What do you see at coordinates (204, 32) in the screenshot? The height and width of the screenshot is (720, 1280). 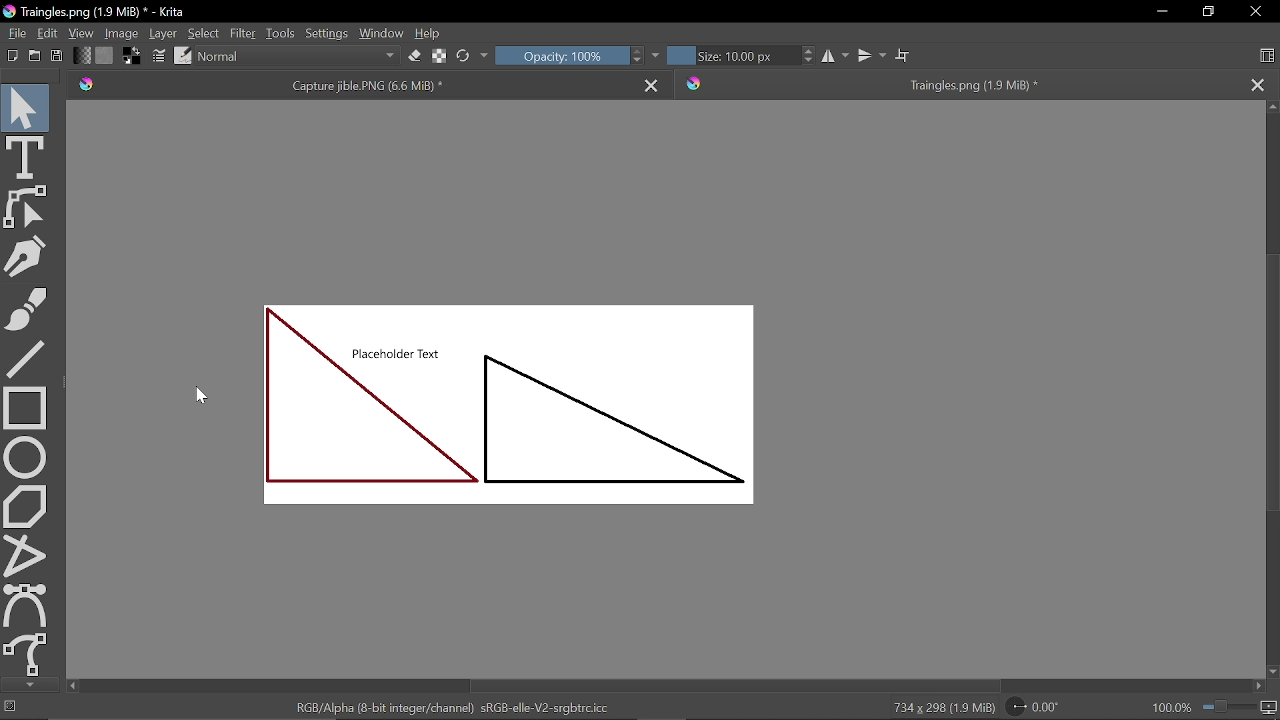 I see `Select` at bounding box center [204, 32].